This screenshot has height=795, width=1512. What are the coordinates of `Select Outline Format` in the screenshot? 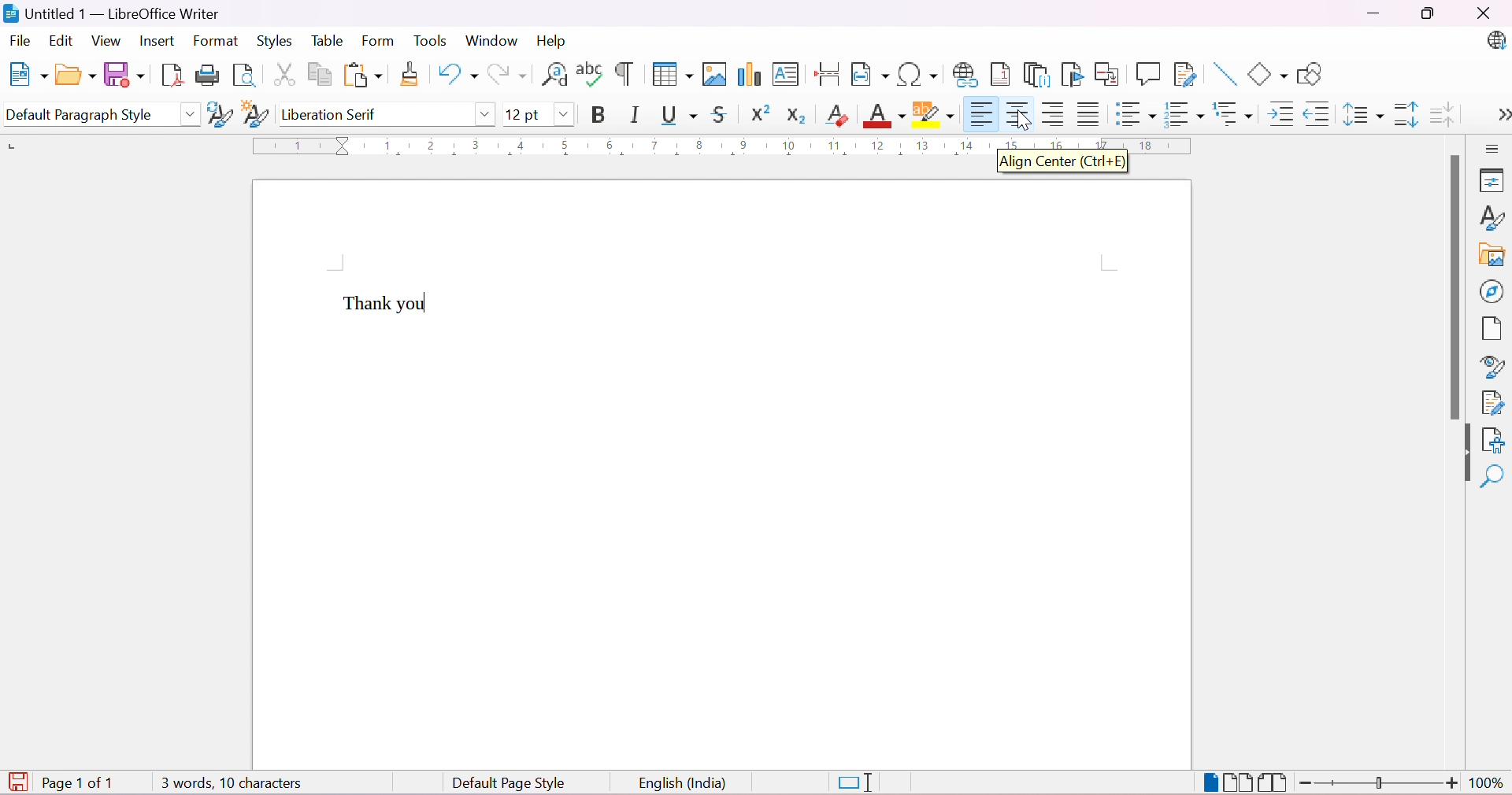 It's located at (1231, 113).